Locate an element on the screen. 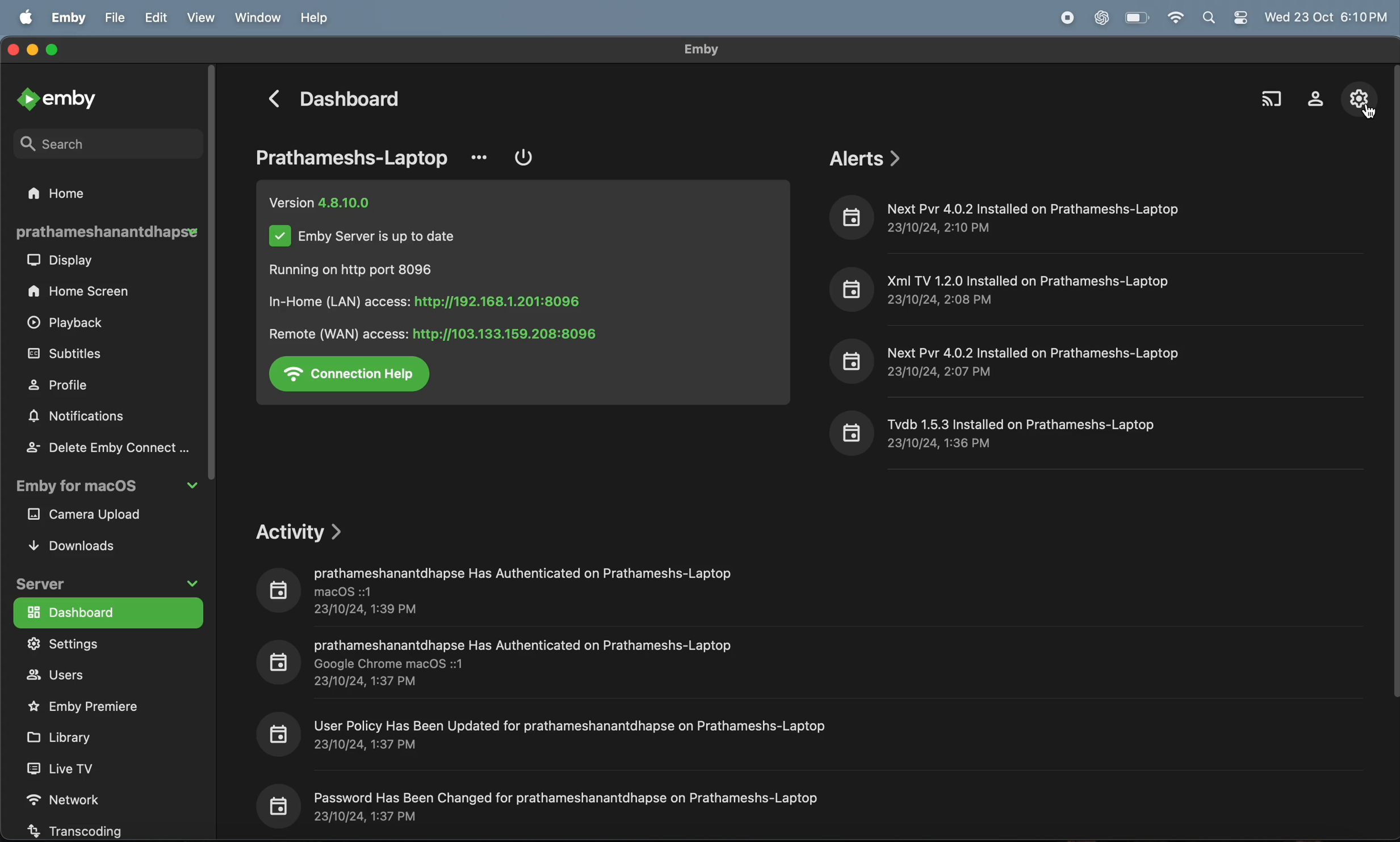  window is located at coordinates (256, 17).